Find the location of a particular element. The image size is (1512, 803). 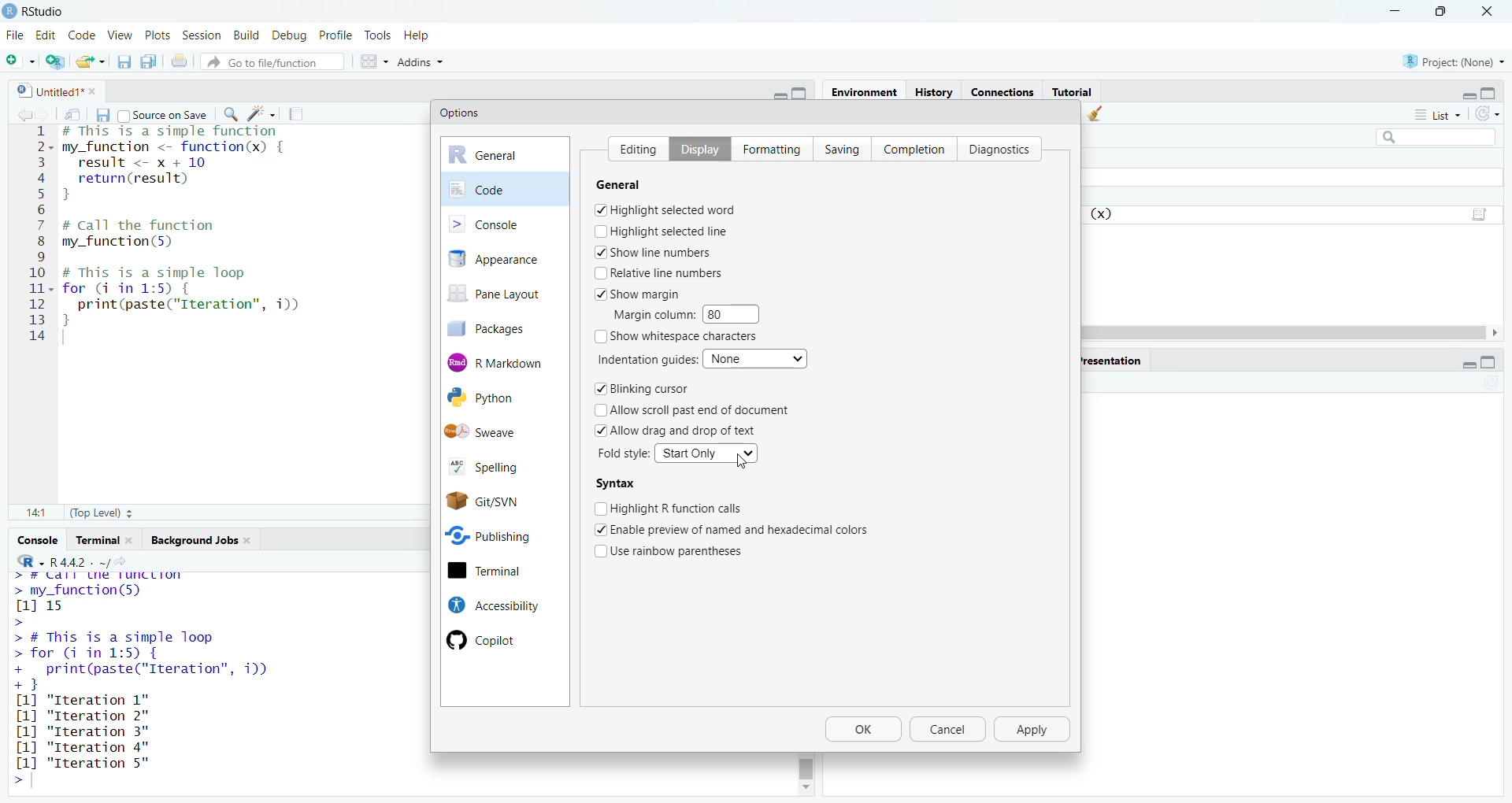

plots is located at coordinates (156, 34).